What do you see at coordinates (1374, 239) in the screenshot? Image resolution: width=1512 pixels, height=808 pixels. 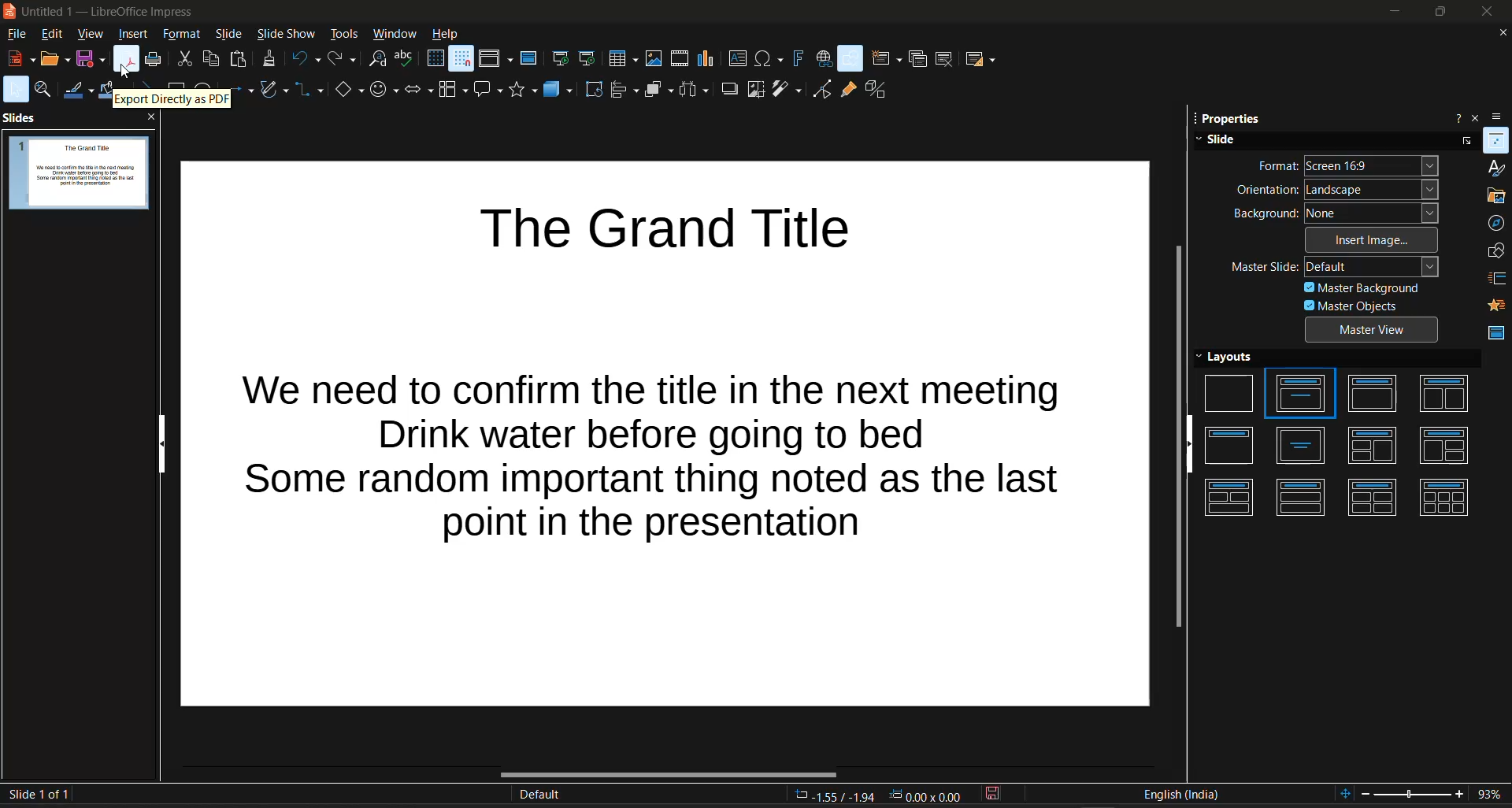 I see `insert image` at bounding box center [1374, 239].